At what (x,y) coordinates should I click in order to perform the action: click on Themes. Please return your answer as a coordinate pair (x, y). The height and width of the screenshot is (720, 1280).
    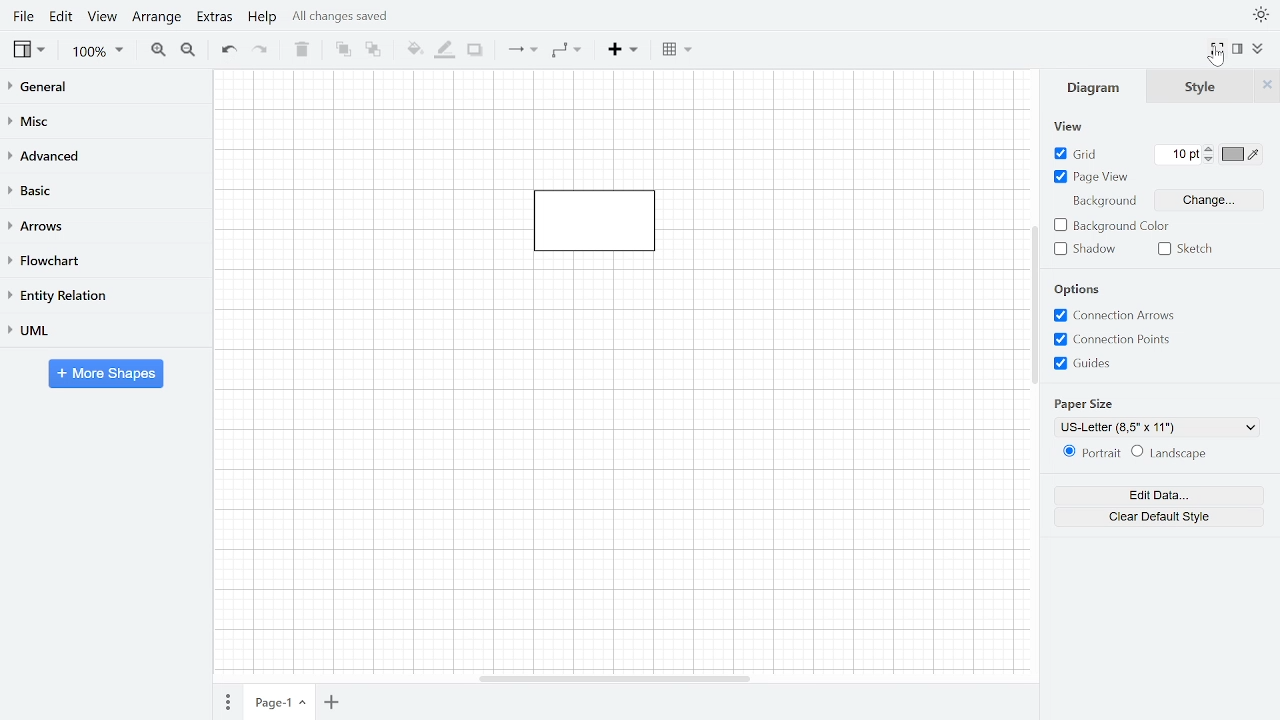
    Looking at the image, I should click on (1261, 13).